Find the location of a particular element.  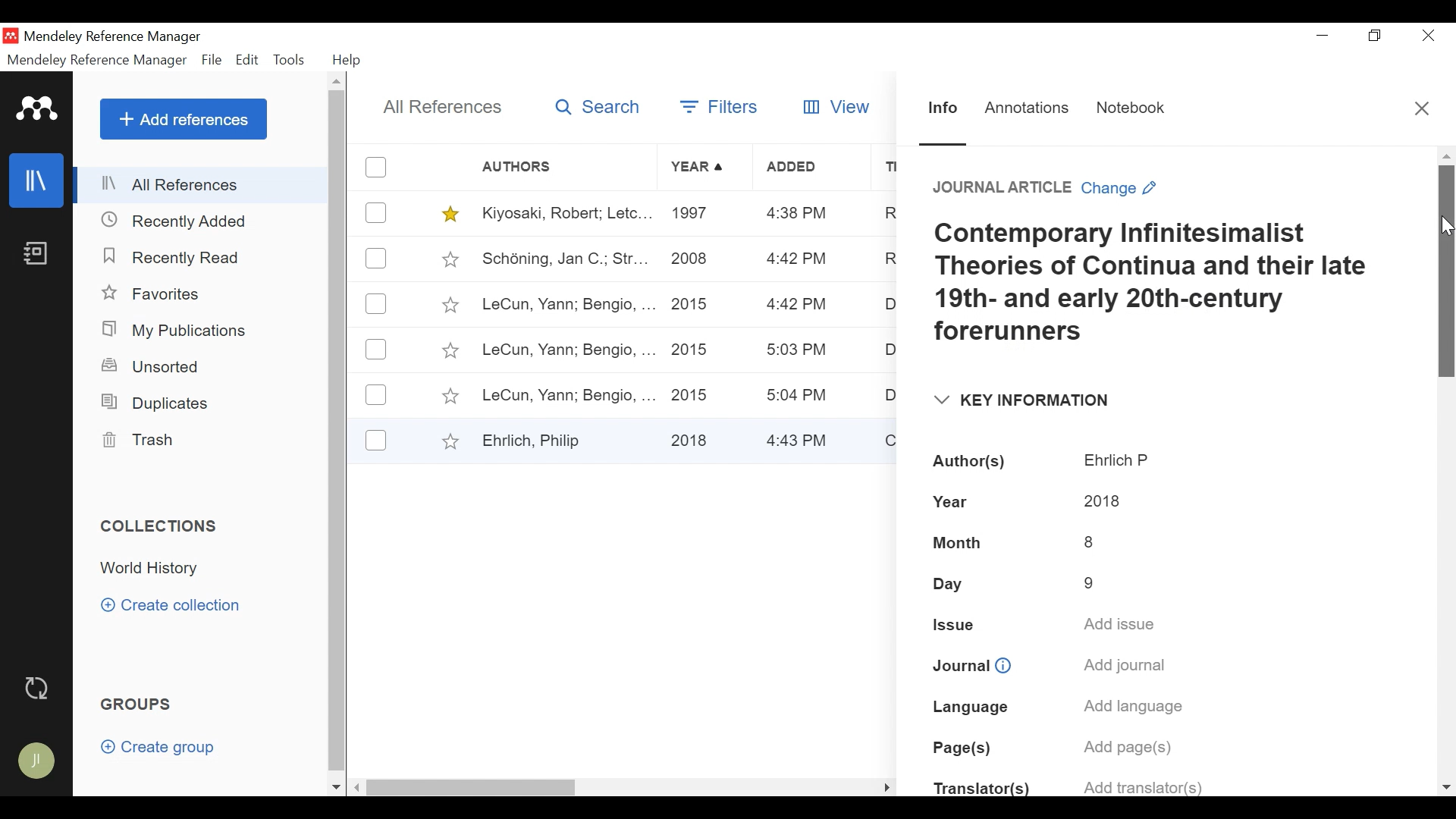

Mendeley Reference Manager is located at coordinates (99, 60).